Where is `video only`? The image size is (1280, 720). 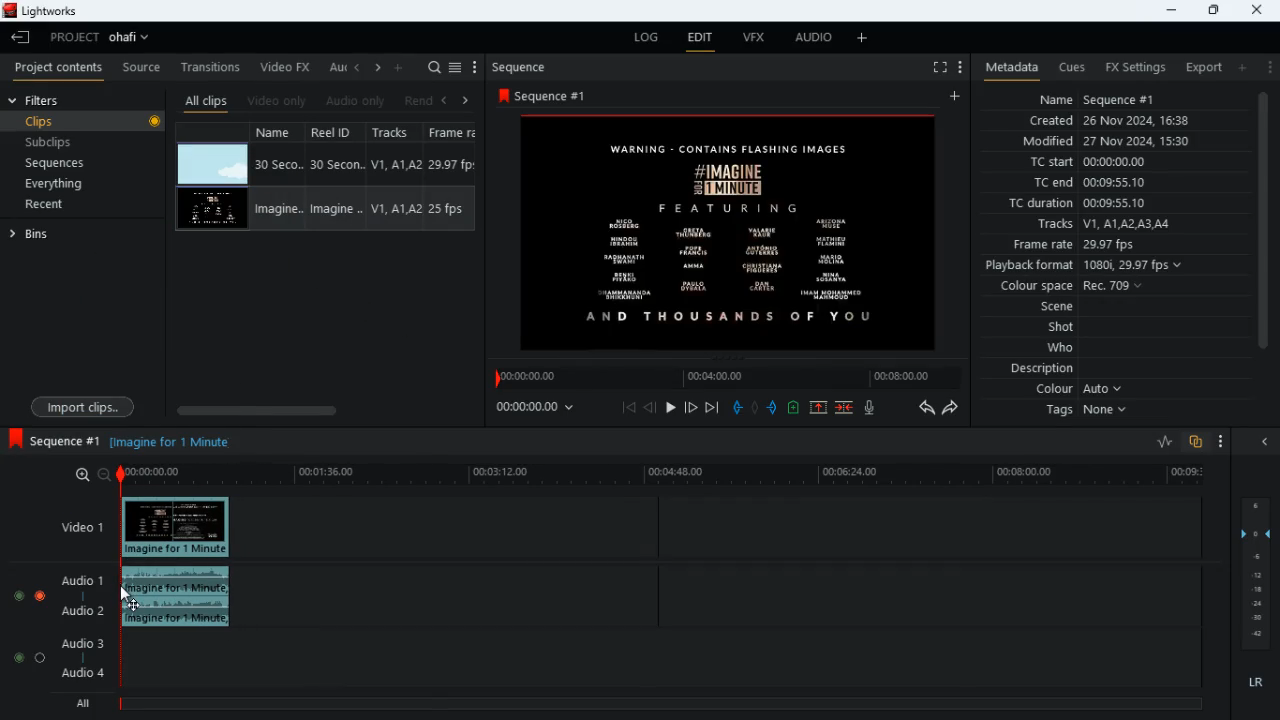 video only is located at coordinates (278, 101).